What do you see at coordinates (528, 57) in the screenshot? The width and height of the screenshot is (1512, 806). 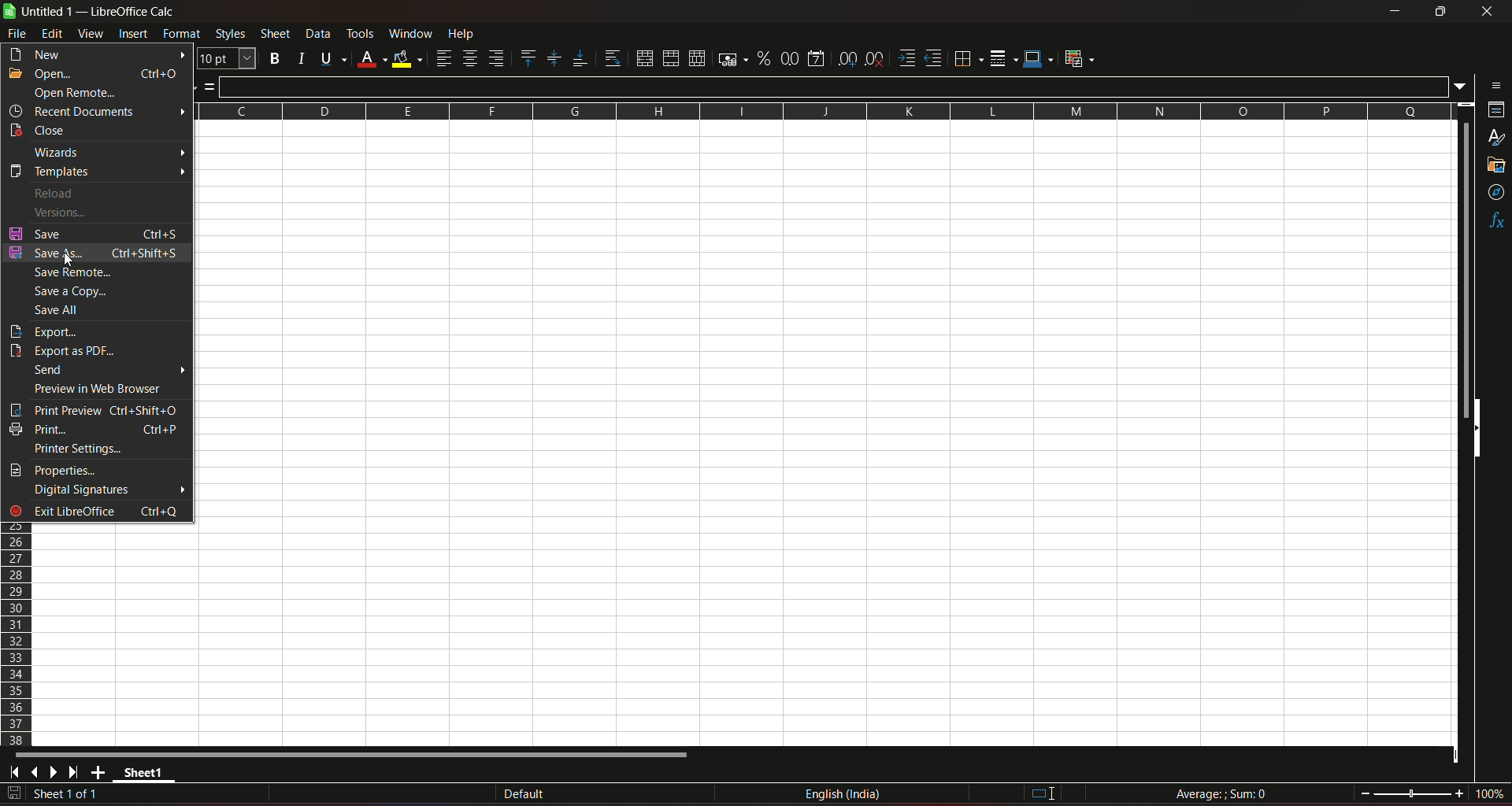 I see `align top` at bounding box center [528, 57].